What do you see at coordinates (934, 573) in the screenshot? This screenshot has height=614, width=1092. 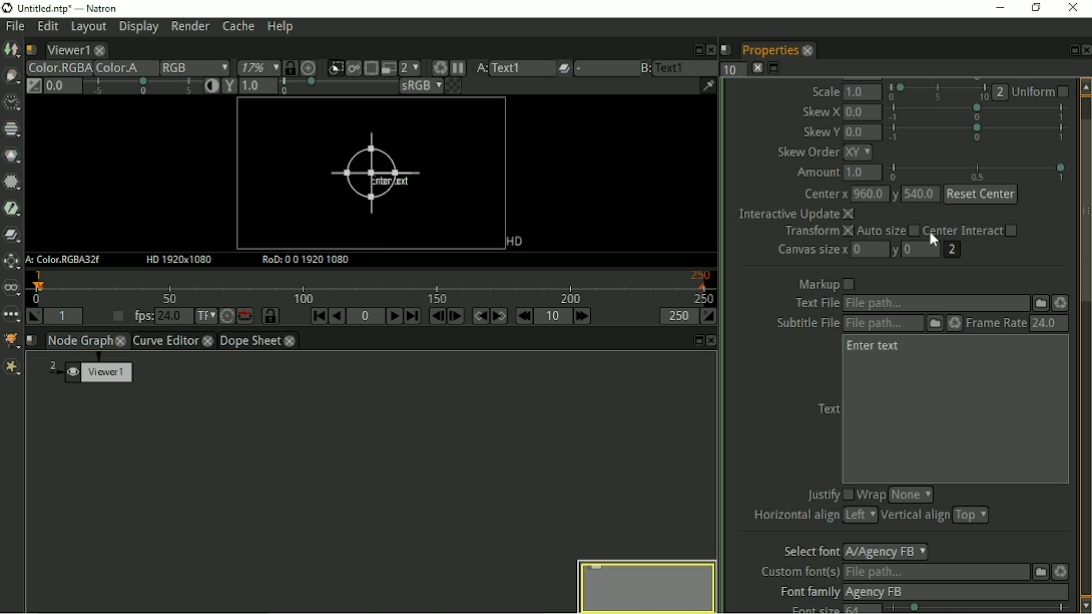 I see `file path` at bounding box center [934, 573].